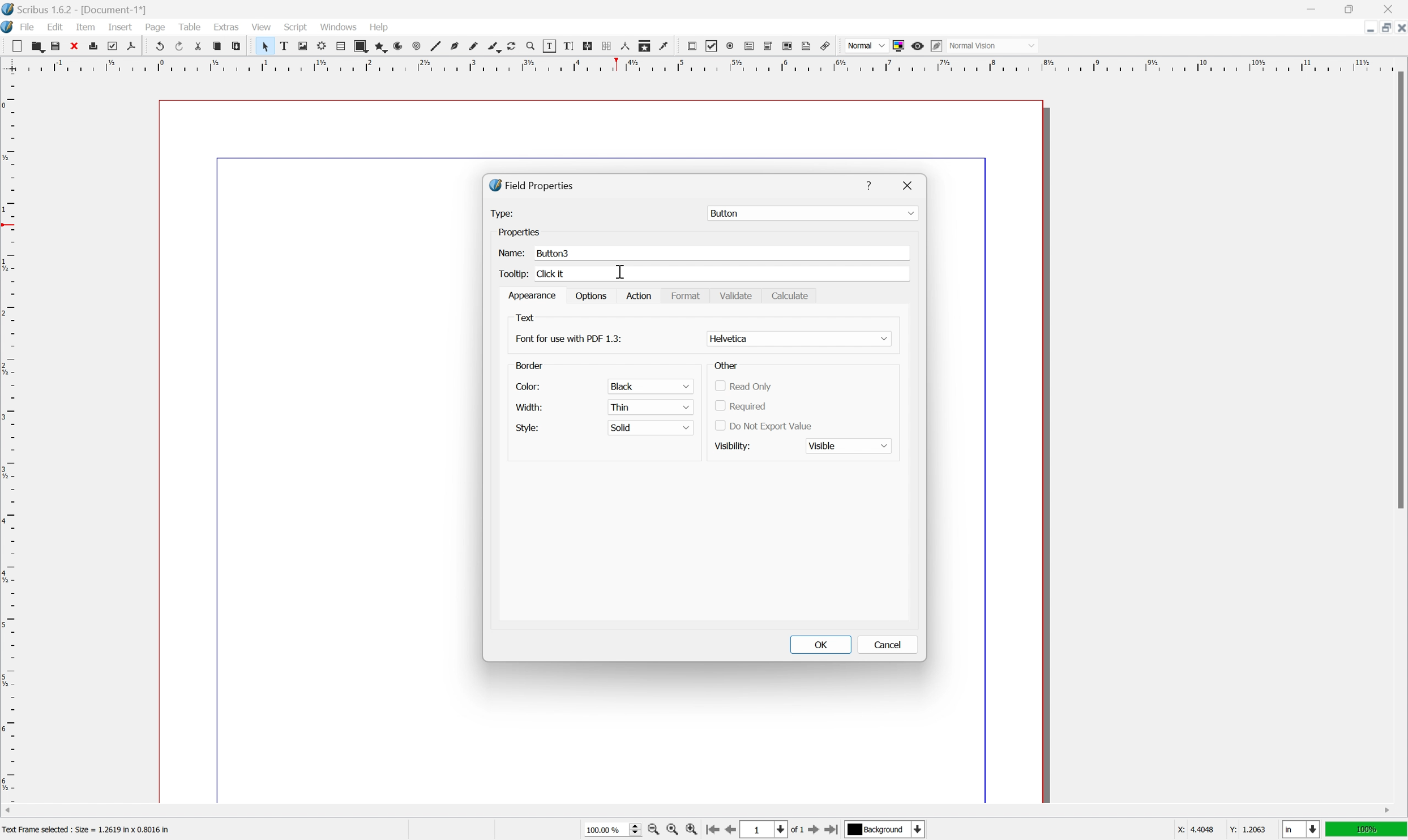 Image resolution: width=1408 pixels, height=840 pixels. I want to click on appearance, so click(533, 295).